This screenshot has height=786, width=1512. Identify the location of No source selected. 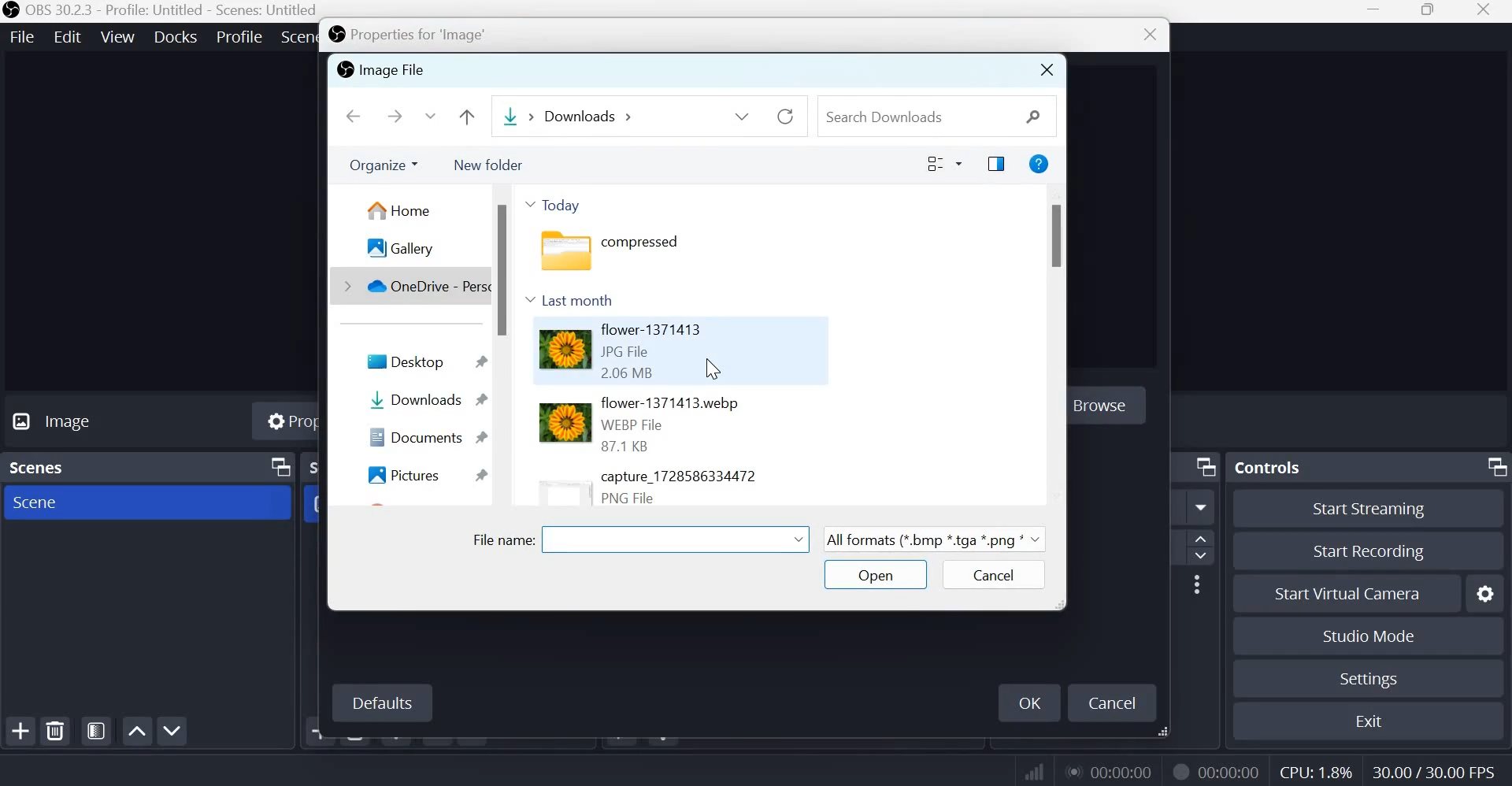
(87, 424).